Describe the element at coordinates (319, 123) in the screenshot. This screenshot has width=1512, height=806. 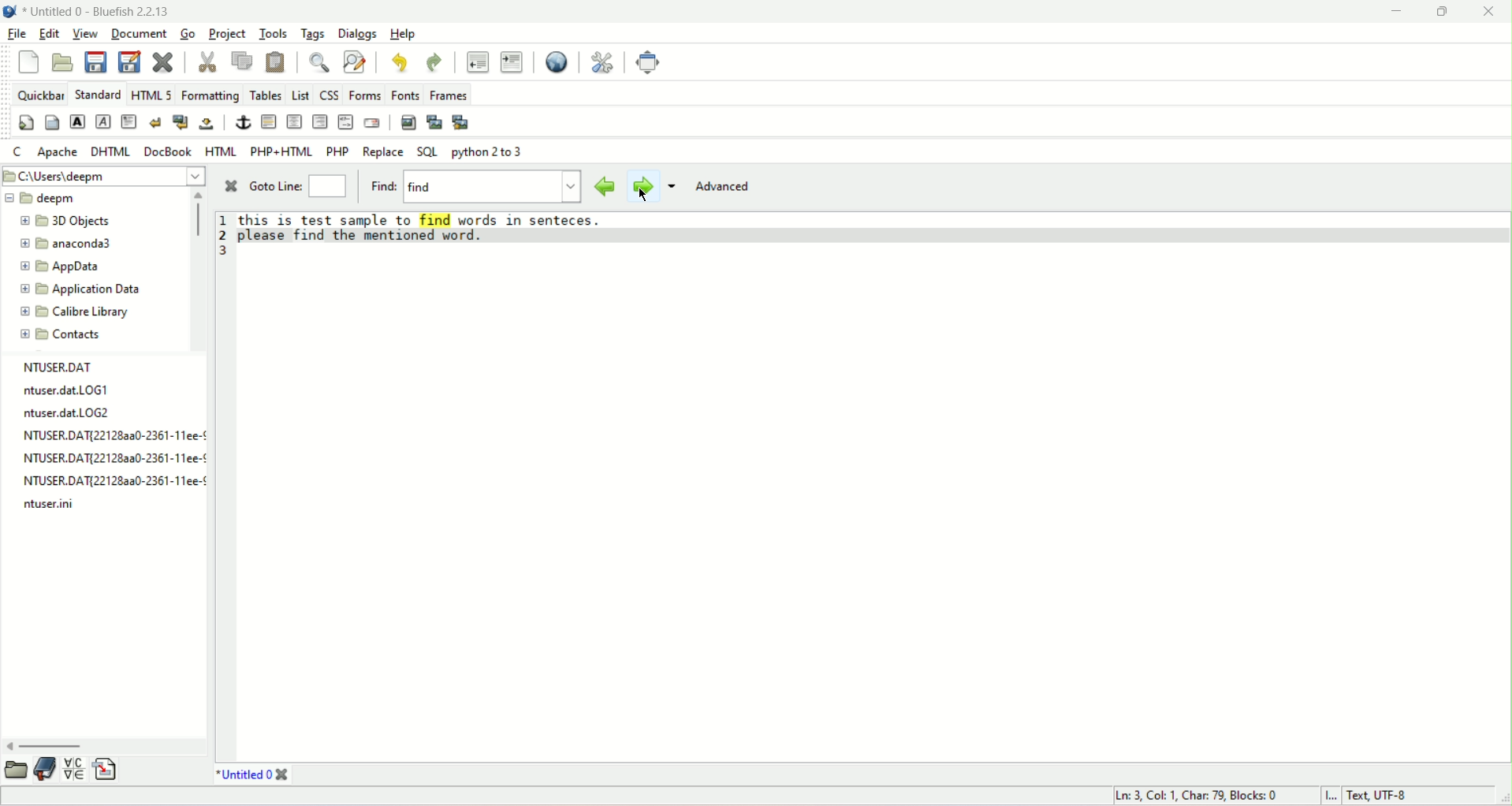
I see `right justify` at that location.